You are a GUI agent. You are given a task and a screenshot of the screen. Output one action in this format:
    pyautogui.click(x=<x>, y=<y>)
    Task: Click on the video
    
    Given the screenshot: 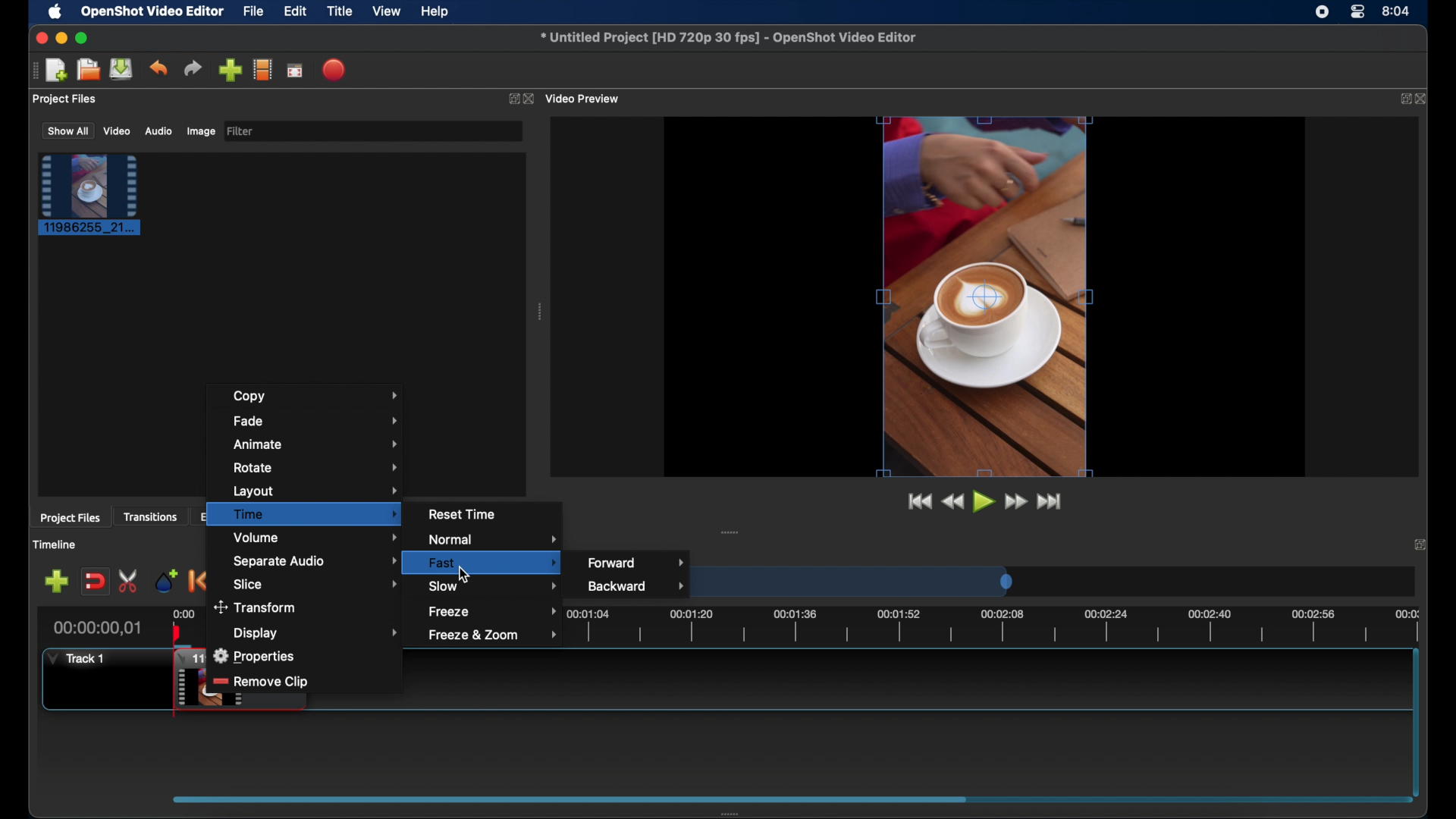 What is the action you would take?
    pyautogui.click(x=118, y=131)
    